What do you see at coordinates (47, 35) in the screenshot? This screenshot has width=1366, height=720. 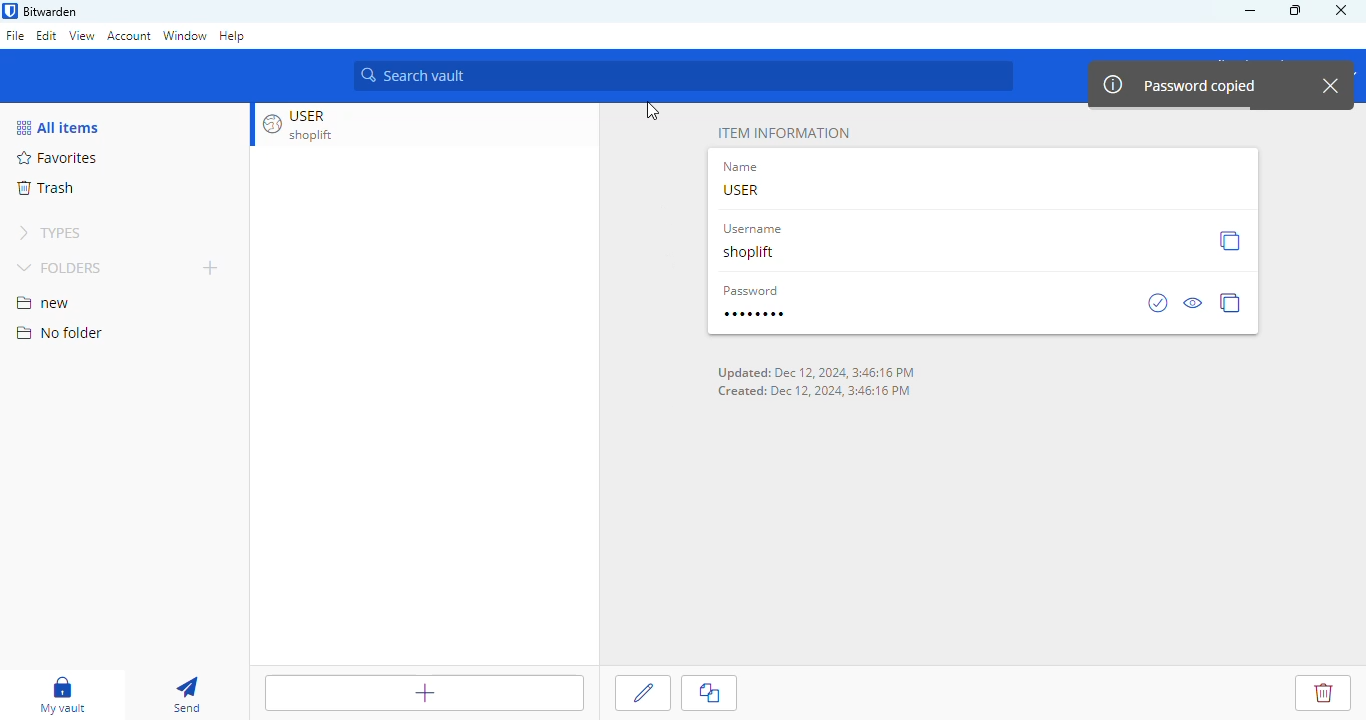 I see `edit` at bounding box center [47, 35].